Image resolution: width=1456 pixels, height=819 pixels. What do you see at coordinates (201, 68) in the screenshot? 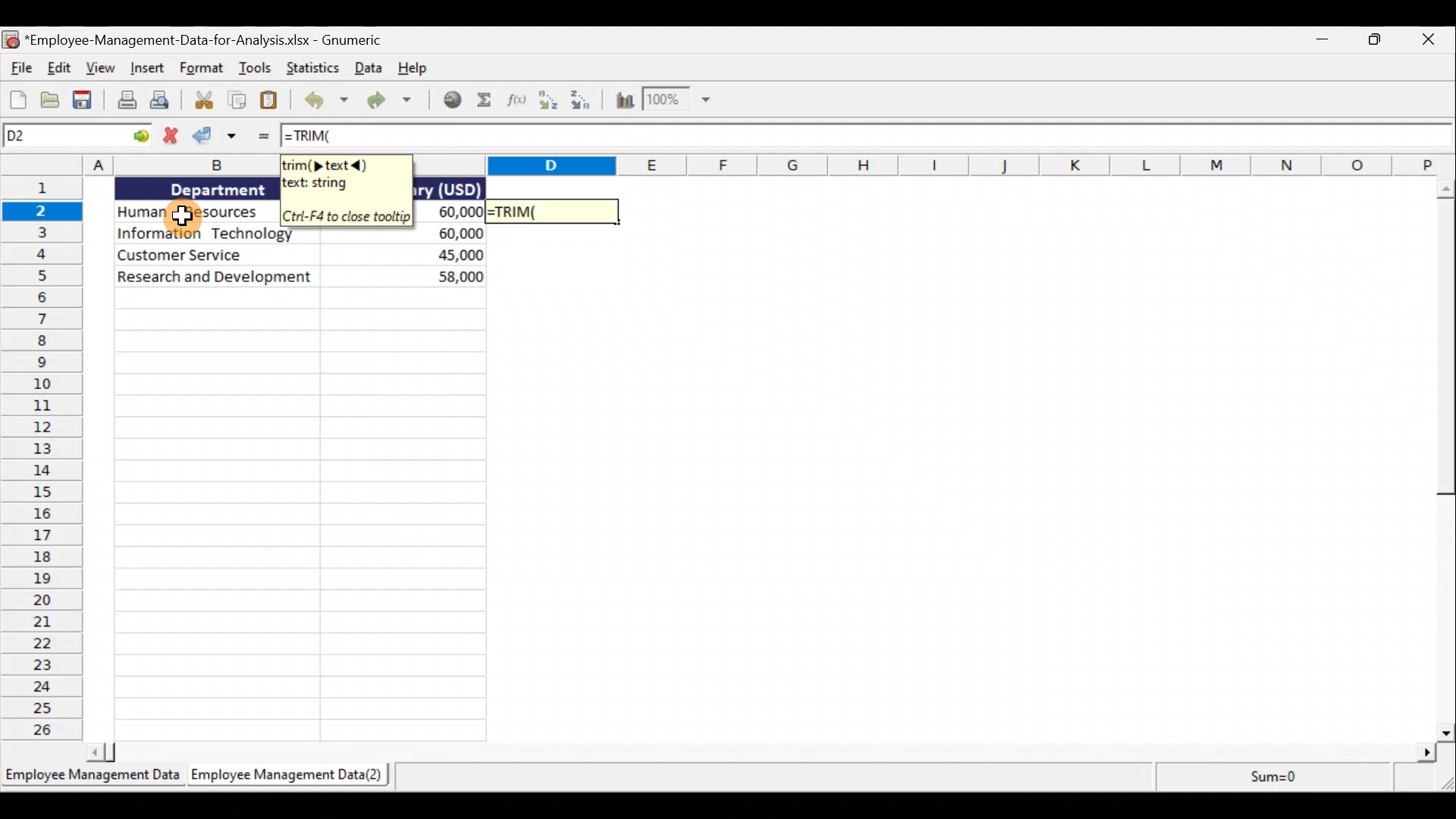
I see `Format` at bounding box center [201, 68].